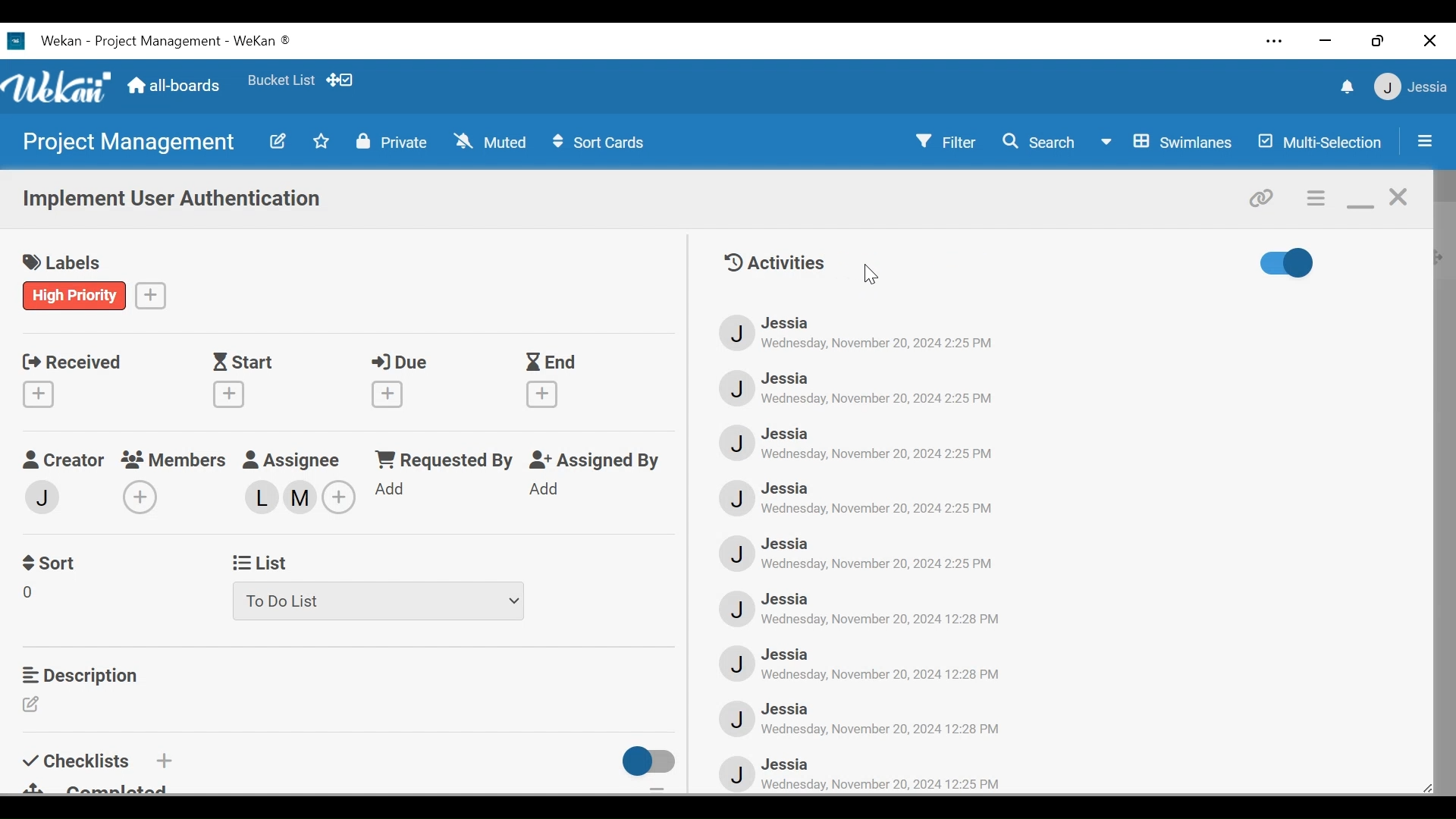  What do you see at coordinates (786, 431) in the screenshot?
I see `Member Name` at bounding box center [786, 431].